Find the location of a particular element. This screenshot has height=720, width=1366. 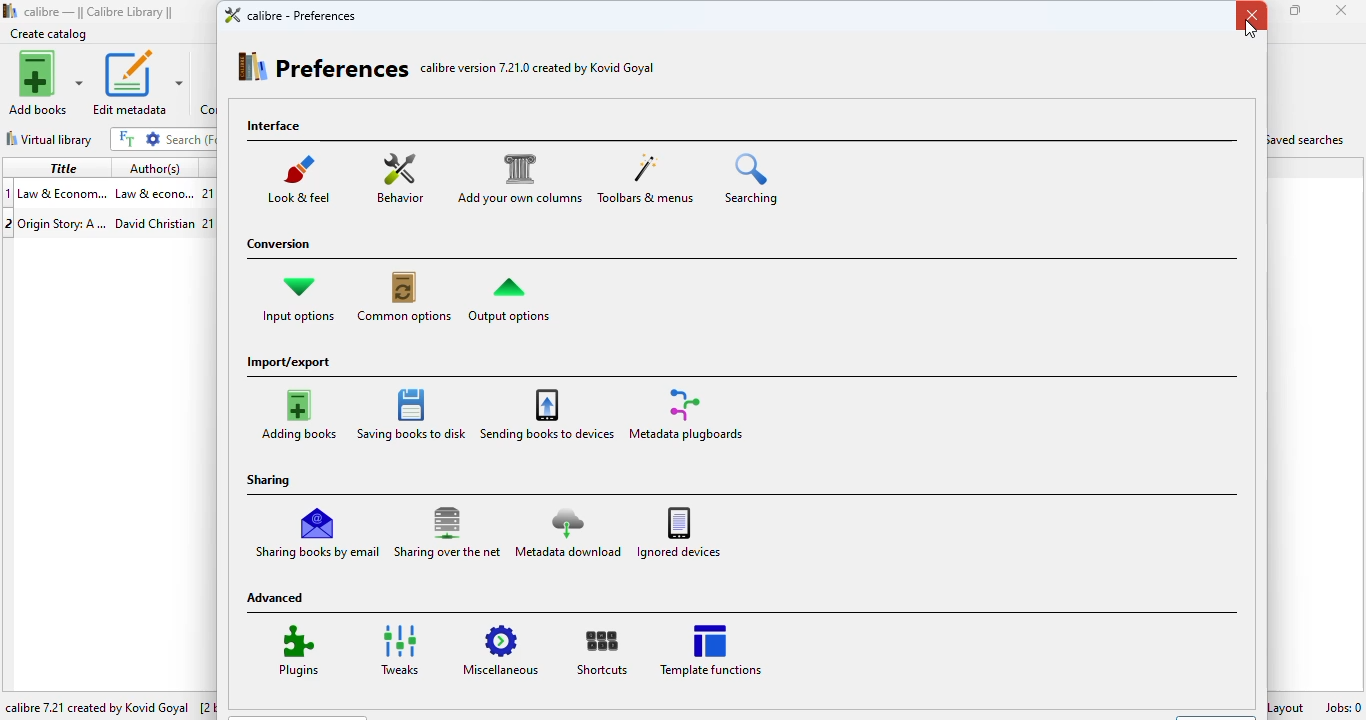

virtual library is located at coordinates (52, 140).